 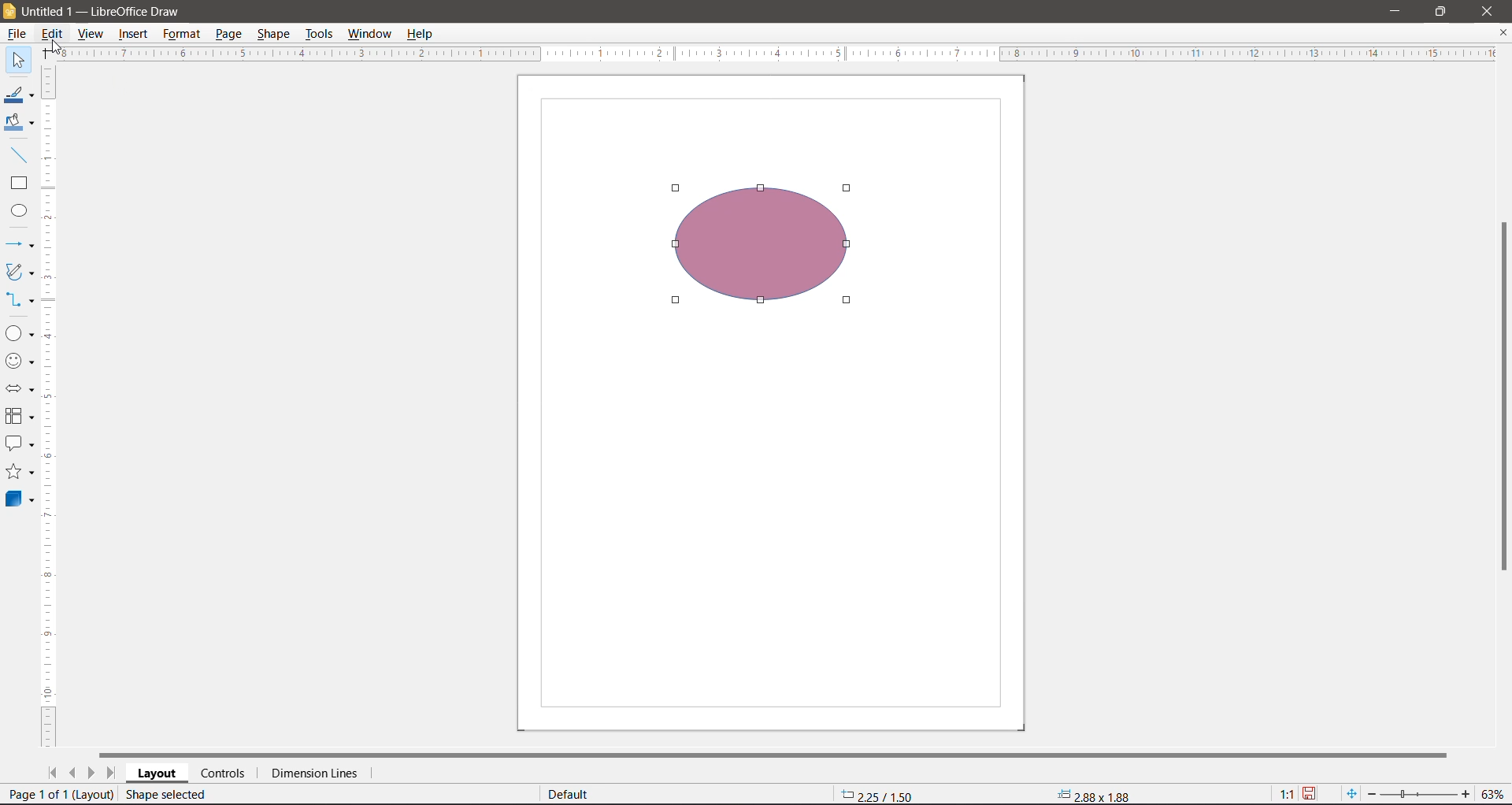 I want to click on Select Tool, so click(x=18, y=61).